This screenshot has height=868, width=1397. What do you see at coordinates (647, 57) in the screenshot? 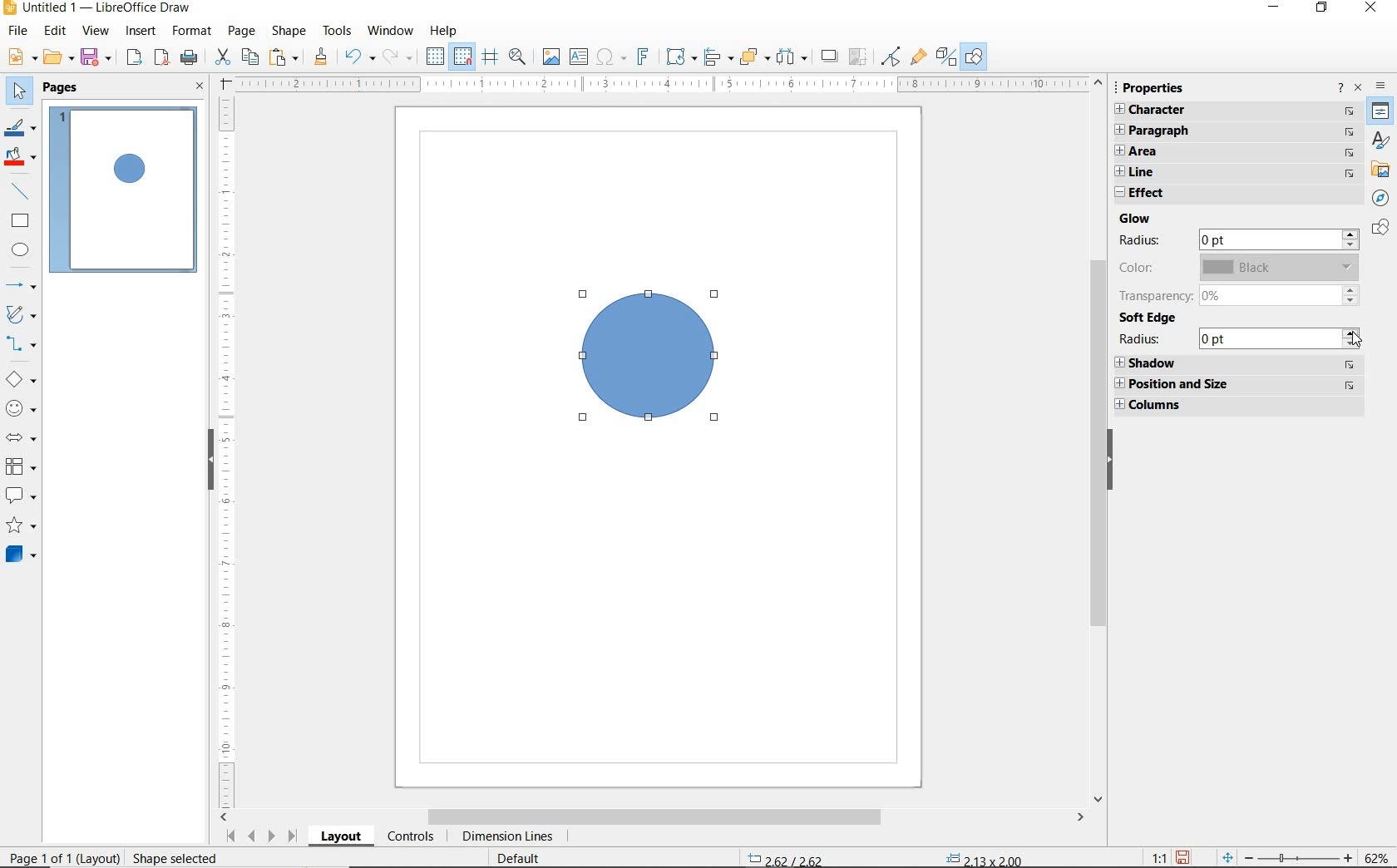
I see `INSERT FRONTWORK TEXT` at bounding box center [647, 57].